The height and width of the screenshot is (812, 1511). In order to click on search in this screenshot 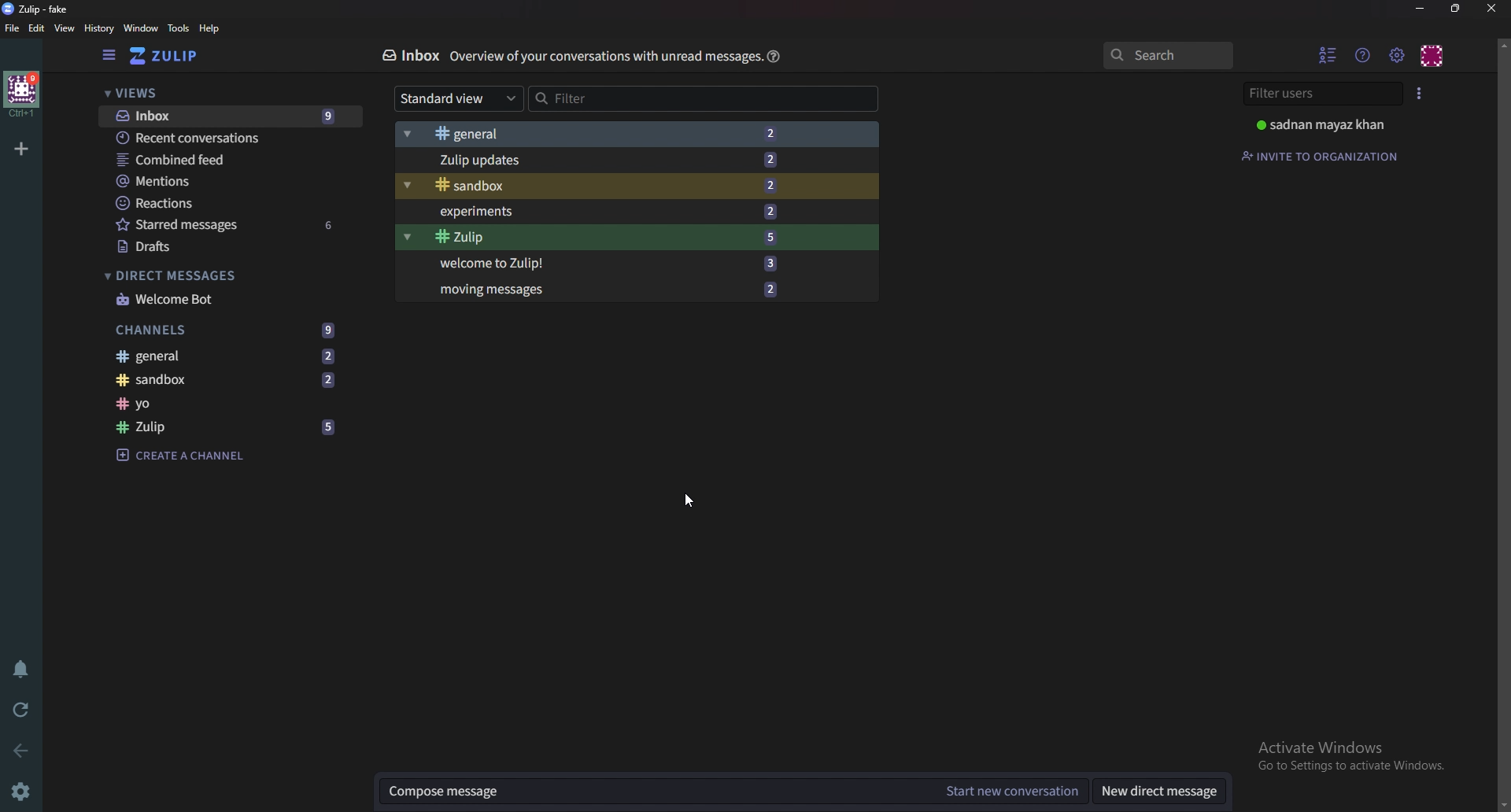, I will do `click(1174, 54)`.